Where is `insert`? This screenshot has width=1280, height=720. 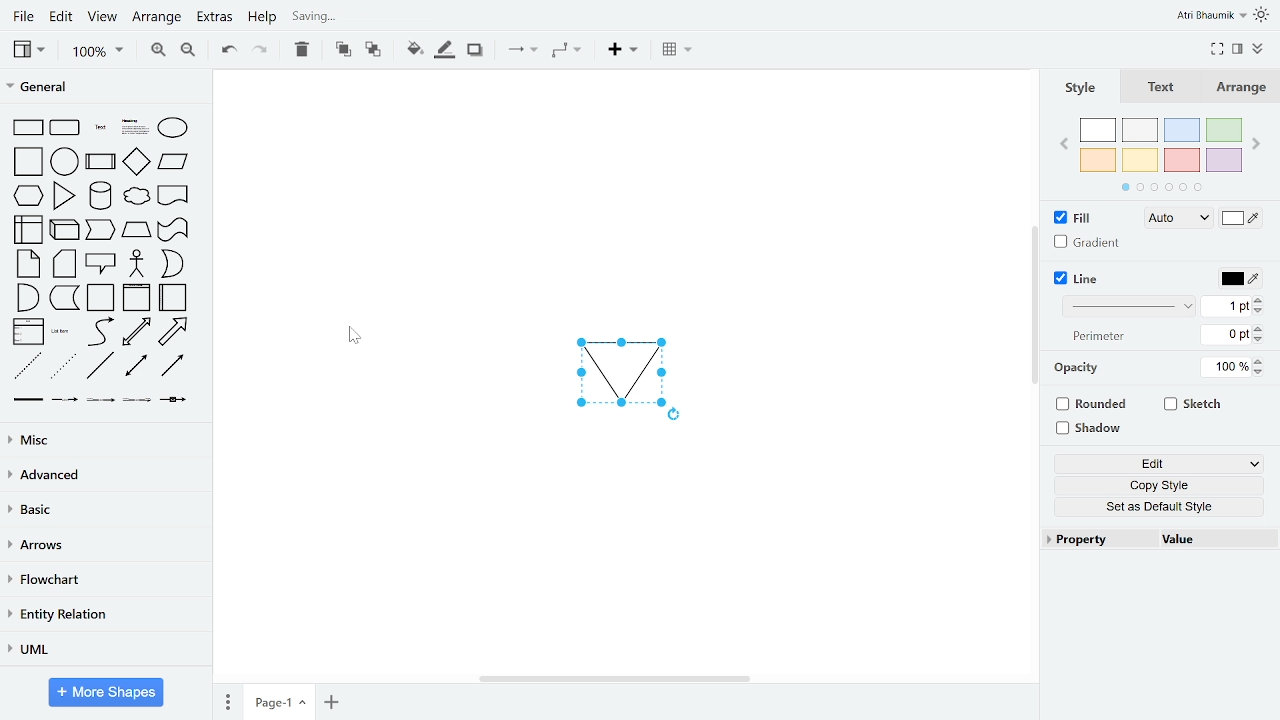 insert is located at coordinates (622, 50).